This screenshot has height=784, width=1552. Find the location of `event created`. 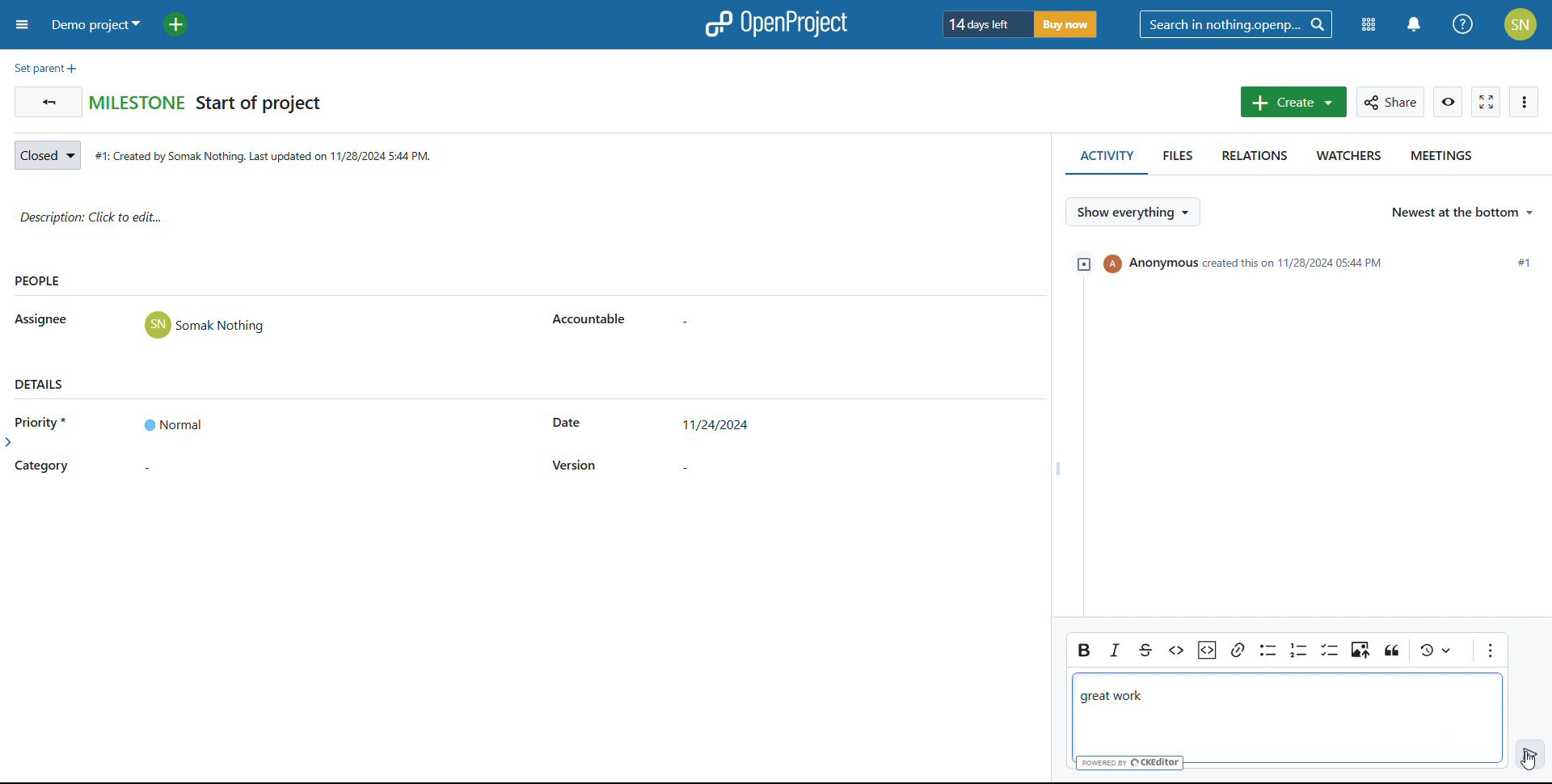

event created is located at coordinates (1321, 263).